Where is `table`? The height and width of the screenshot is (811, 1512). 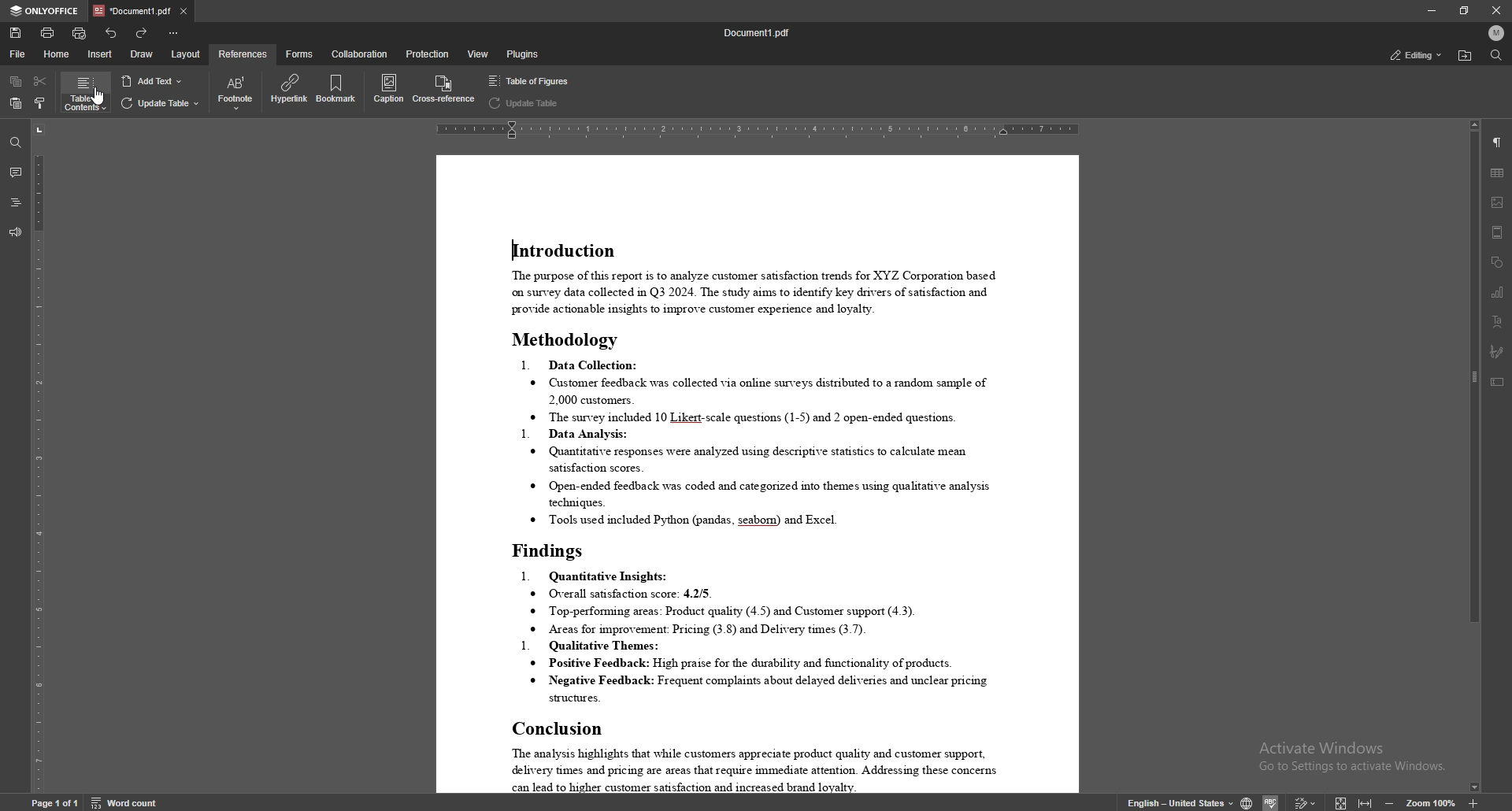
table is located at coordinates (1497, 173).